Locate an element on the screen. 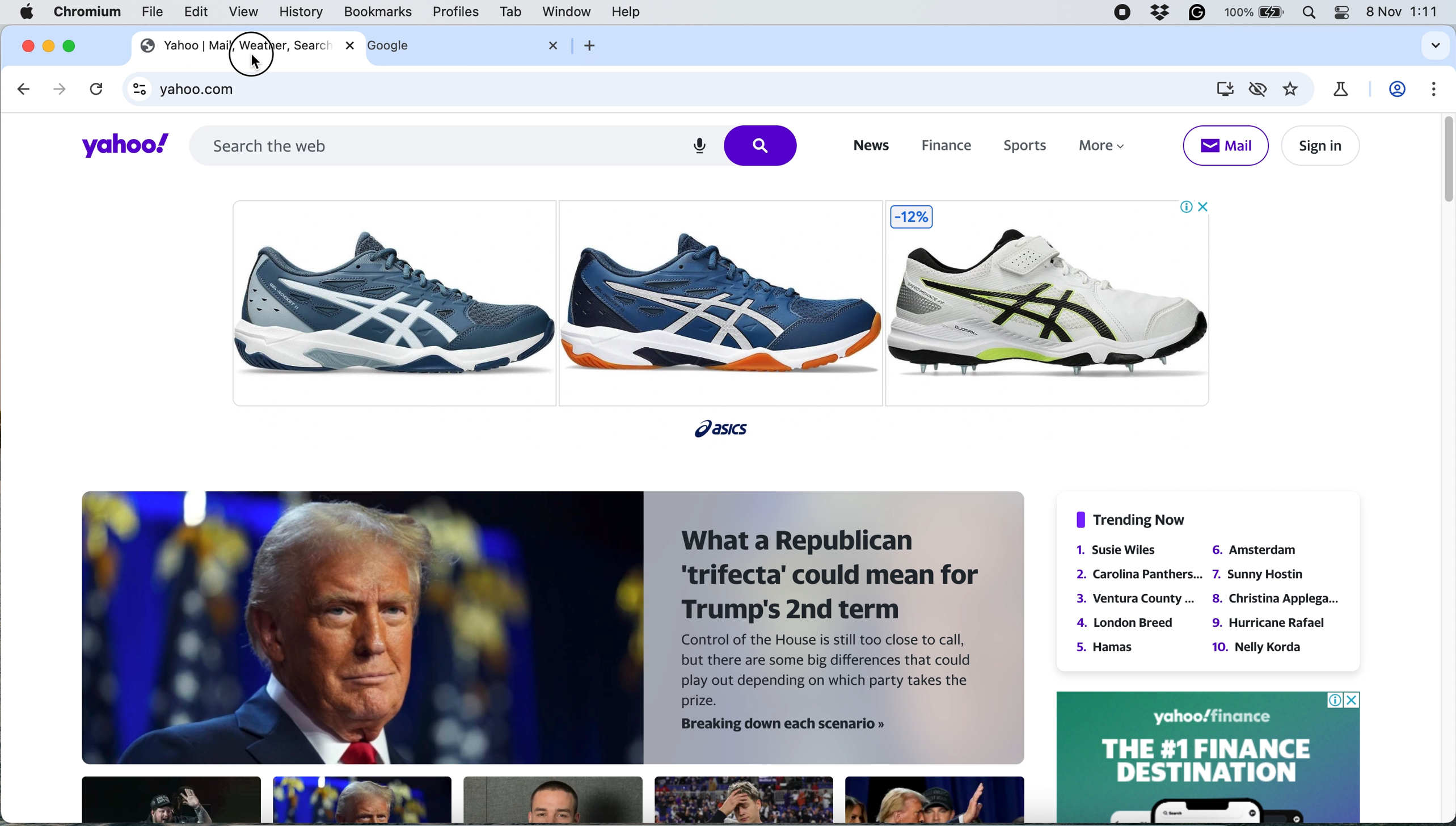  third party cookies limited is located at coordinates (1260, 88).